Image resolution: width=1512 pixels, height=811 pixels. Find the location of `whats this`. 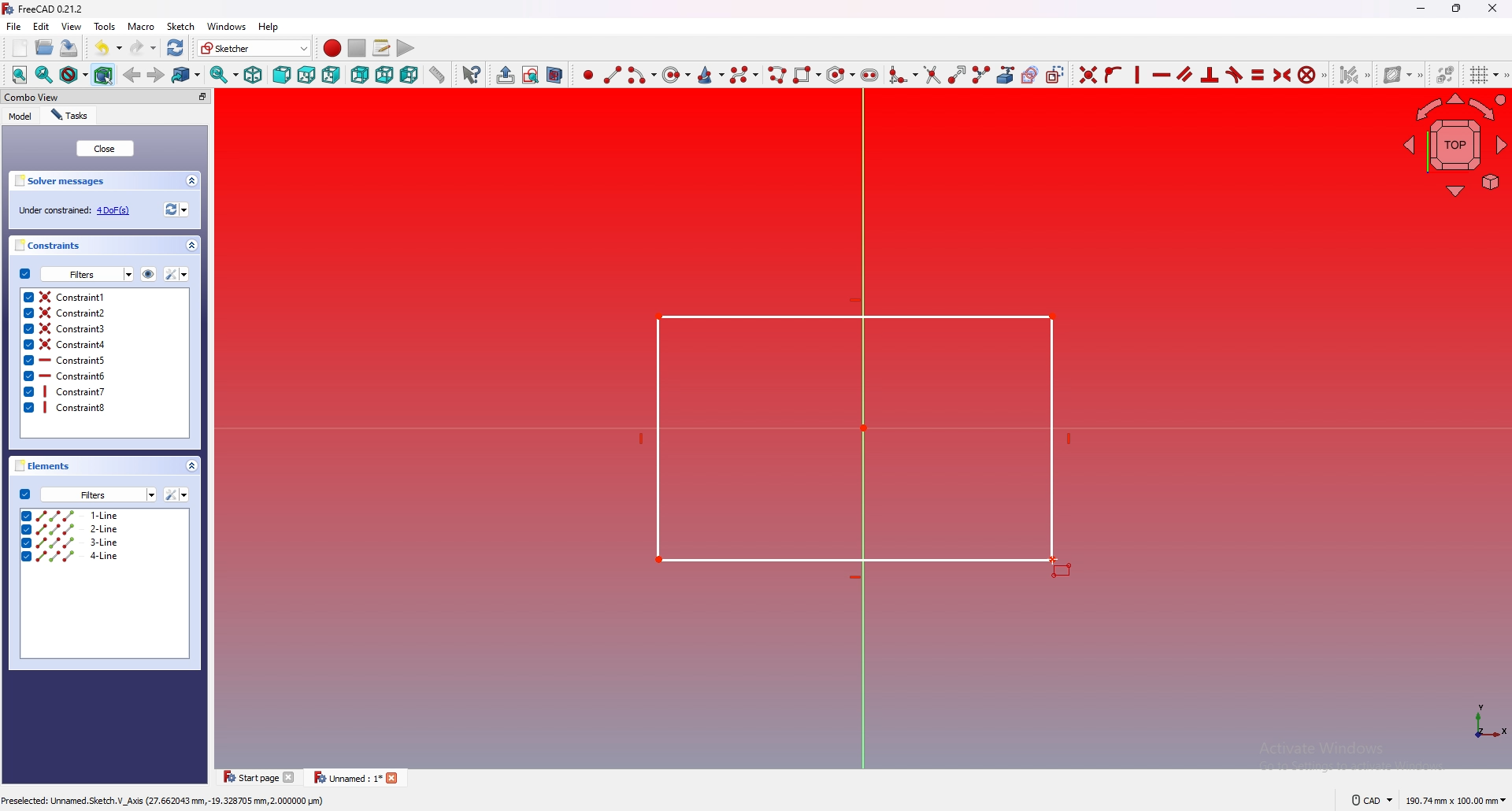

whats this is located at coordinates (474, 74).